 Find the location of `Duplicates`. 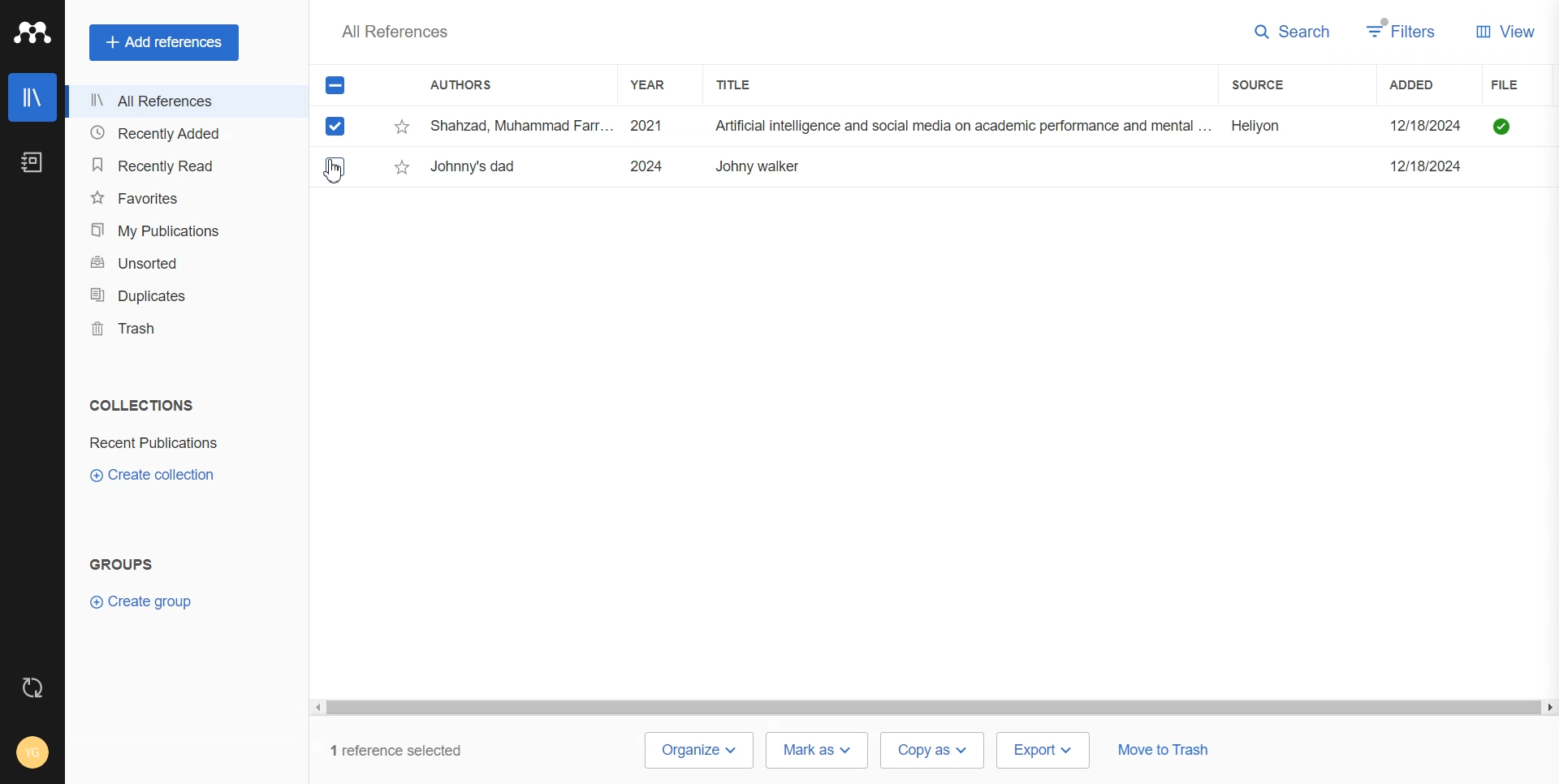

Duplicates is located at coordinates (181, 295).